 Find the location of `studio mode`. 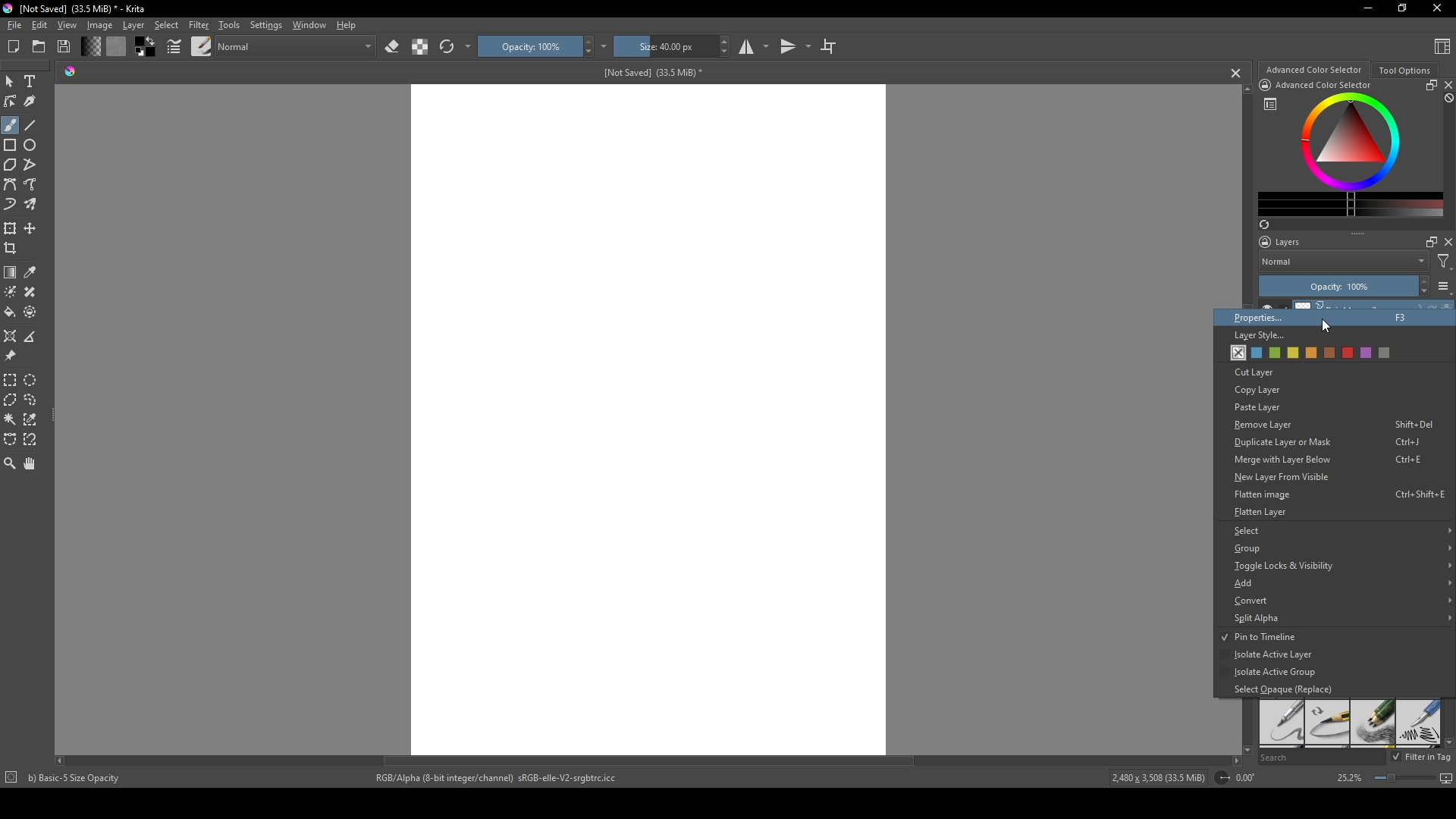

studio mode is located at coordinates (754, 46).